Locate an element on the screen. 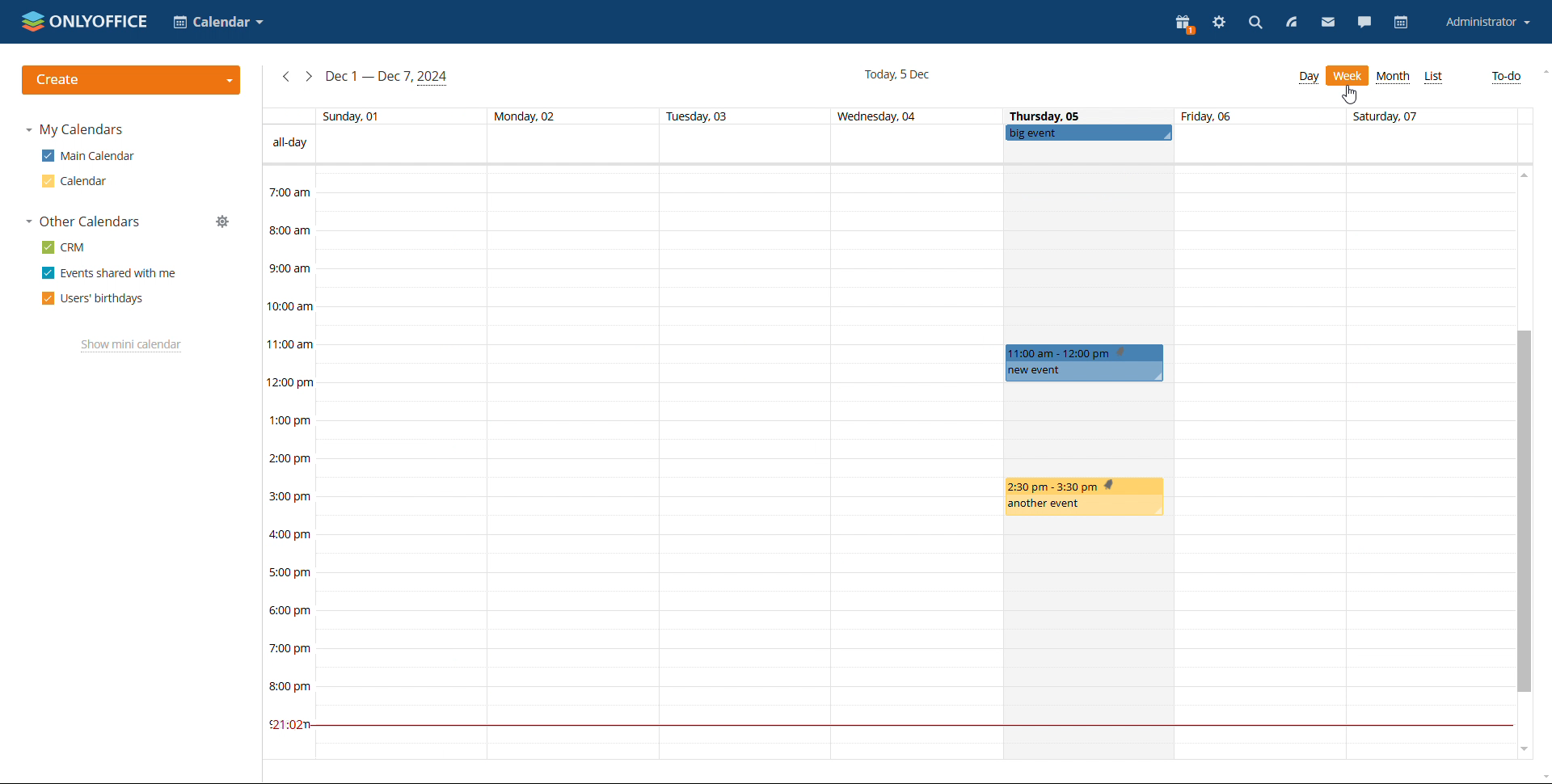 The width and height of the screenshot is (1552, 784). my calendars is located at coordinates (76, 129).